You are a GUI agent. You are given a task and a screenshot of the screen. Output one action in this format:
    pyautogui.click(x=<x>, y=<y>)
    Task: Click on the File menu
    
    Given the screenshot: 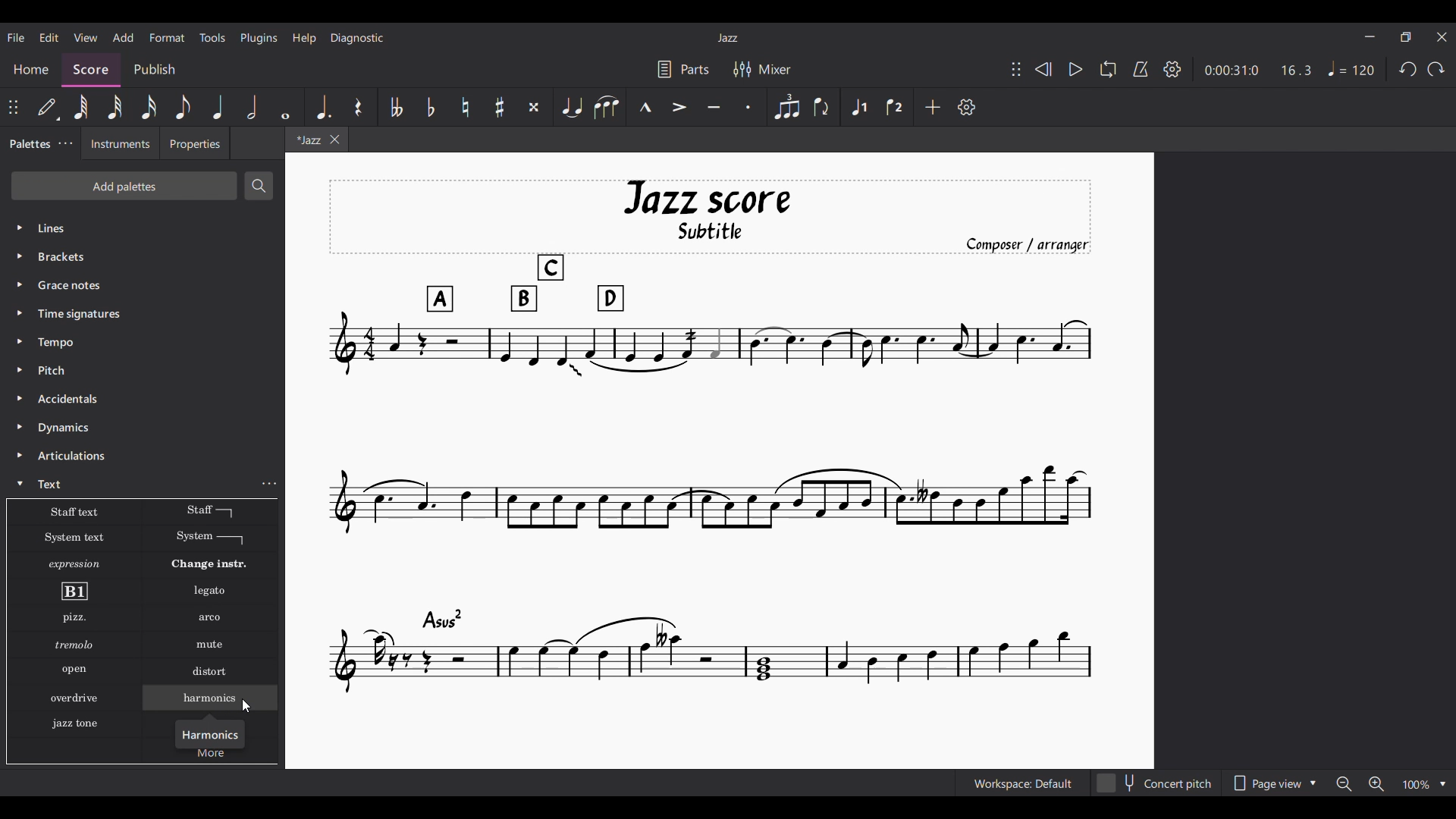 What is the action you would take?
    pyautogui.click(x=17, y=37)
    